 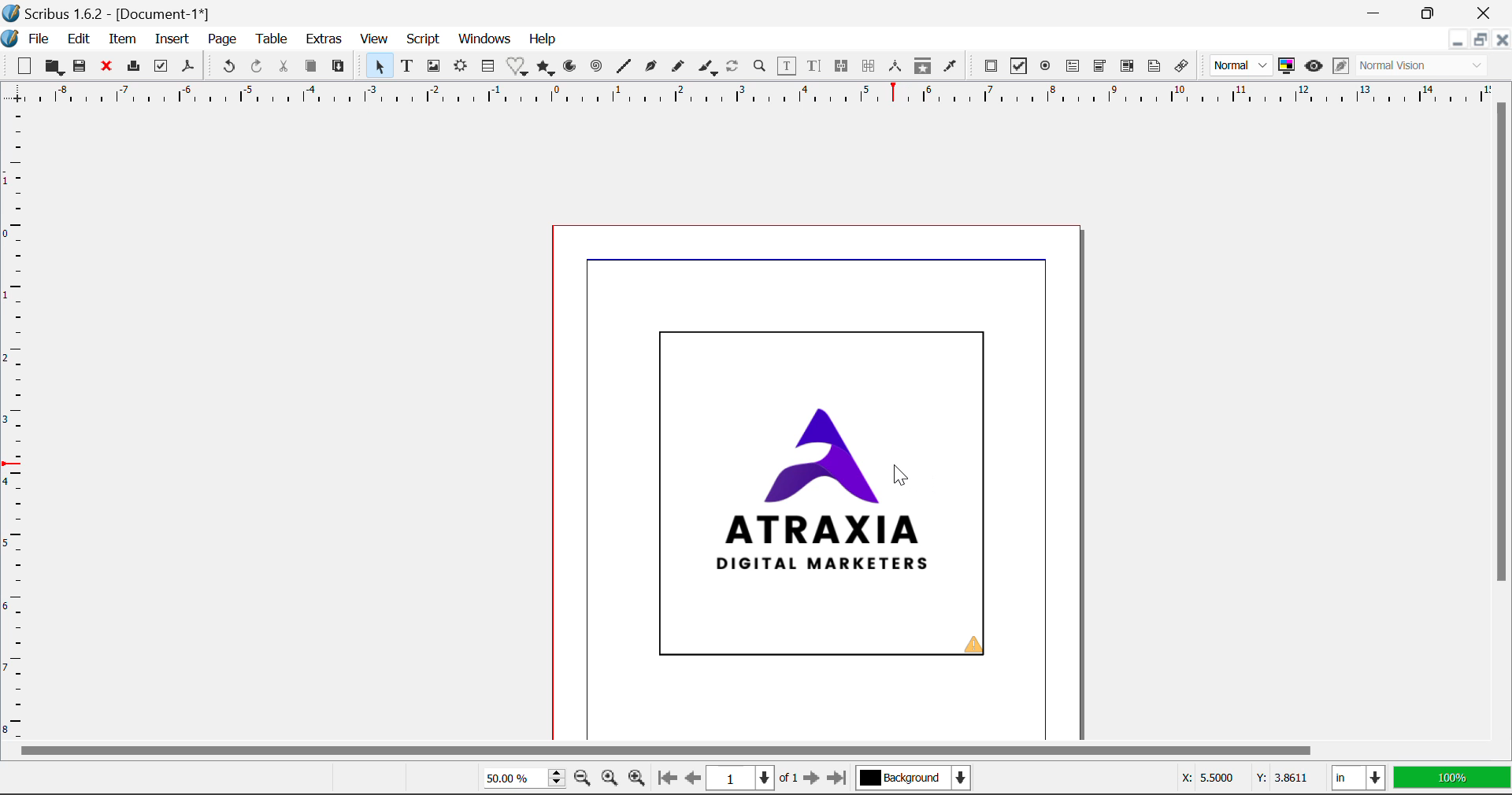 I want to click on Zoom settings, so click(x=609, y=778).